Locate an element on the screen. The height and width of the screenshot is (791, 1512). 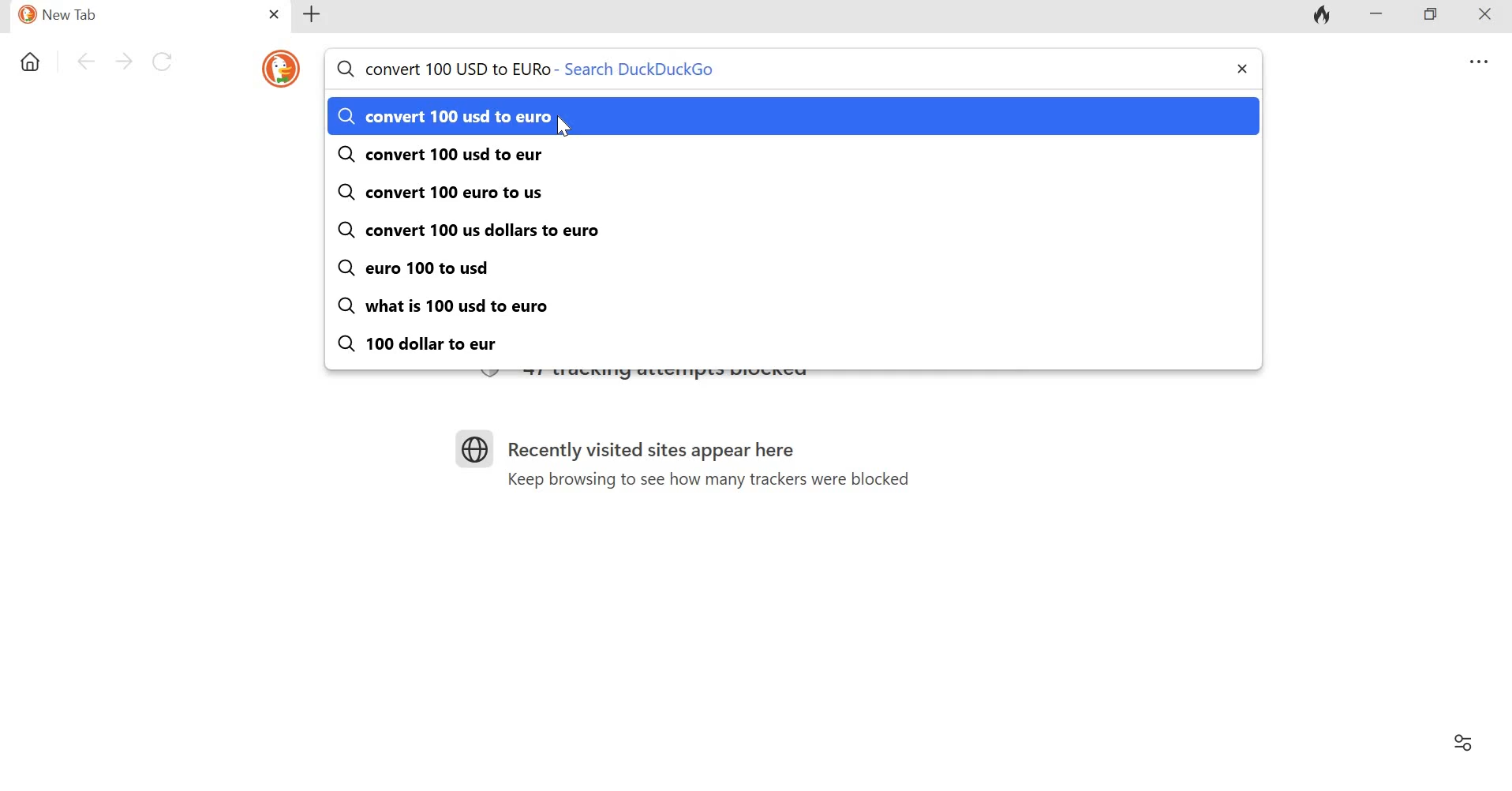
Filter settings is located at coordinates (1461, 740).